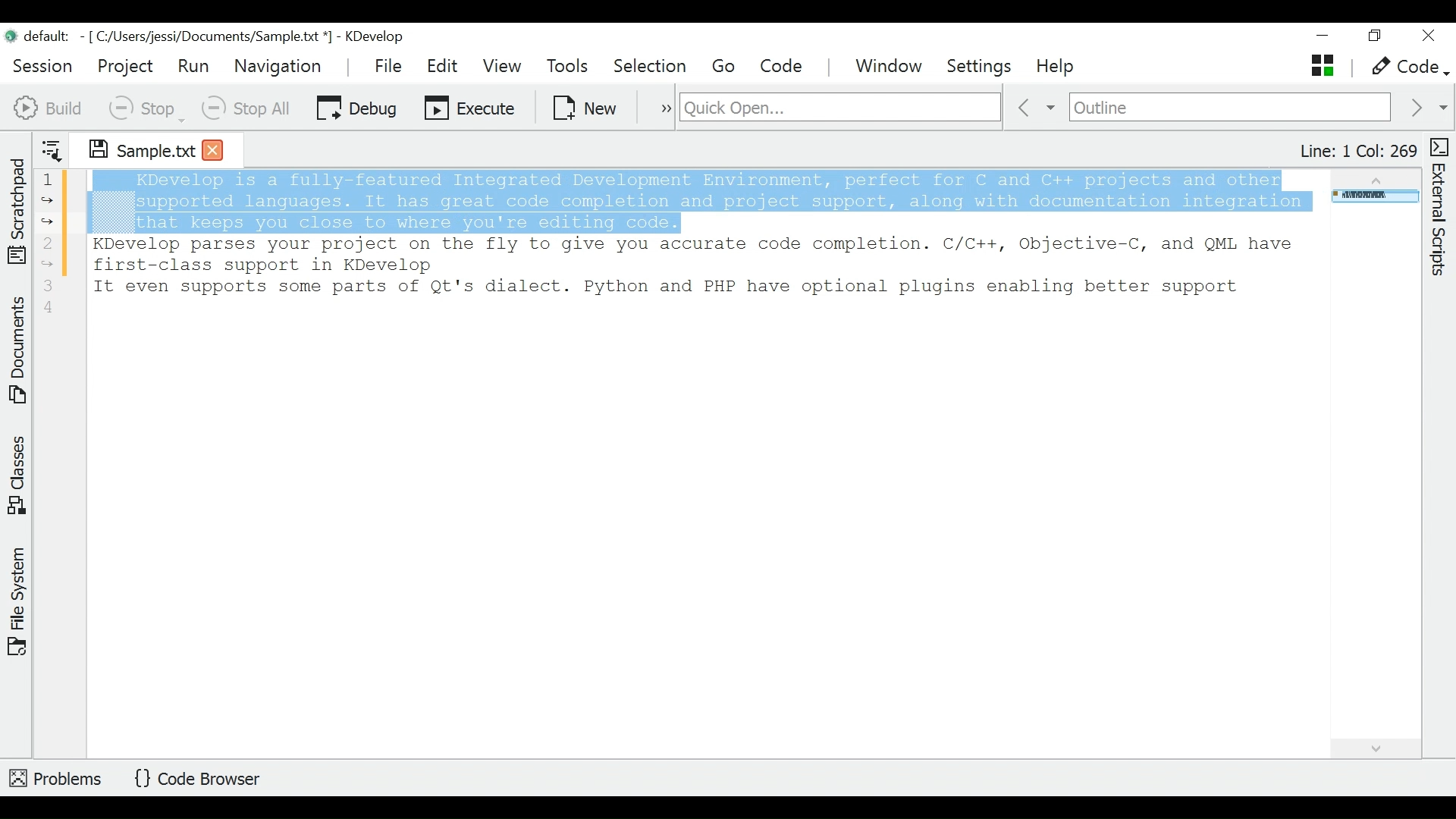  I want to click on Scroll up, so click(1373, 177).